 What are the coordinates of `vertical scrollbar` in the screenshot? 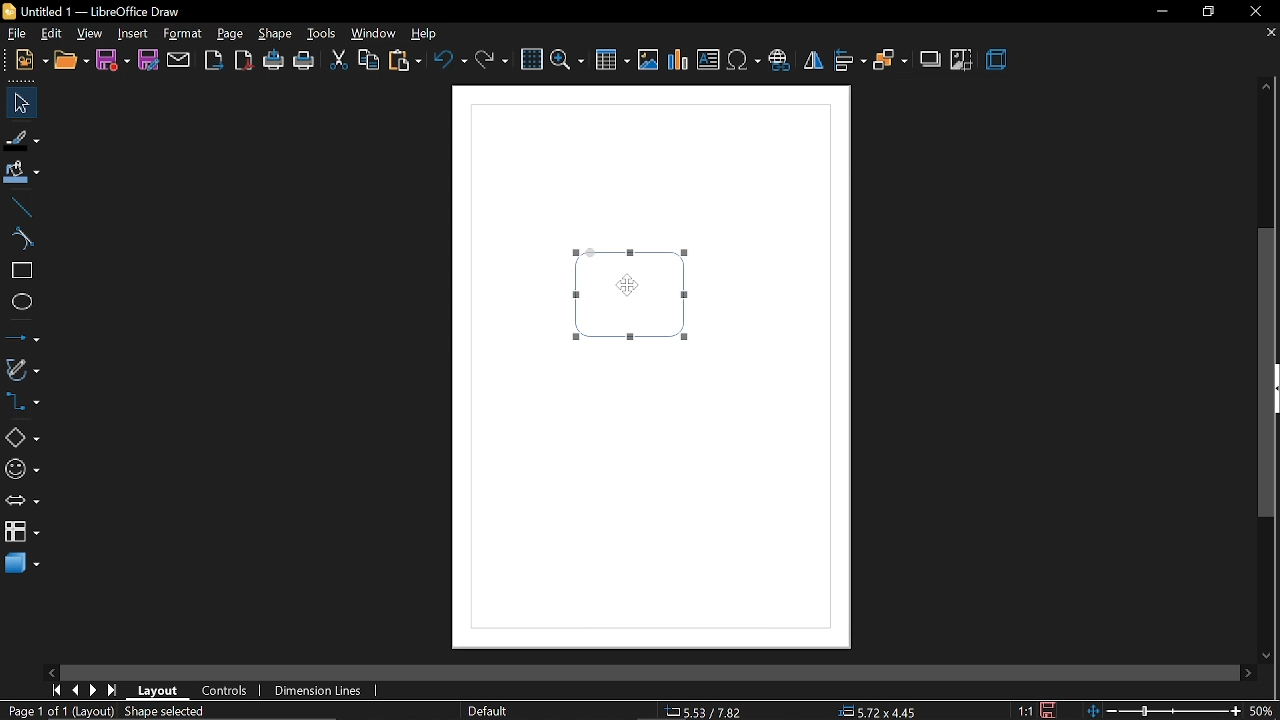 It's located at (1270, 374).